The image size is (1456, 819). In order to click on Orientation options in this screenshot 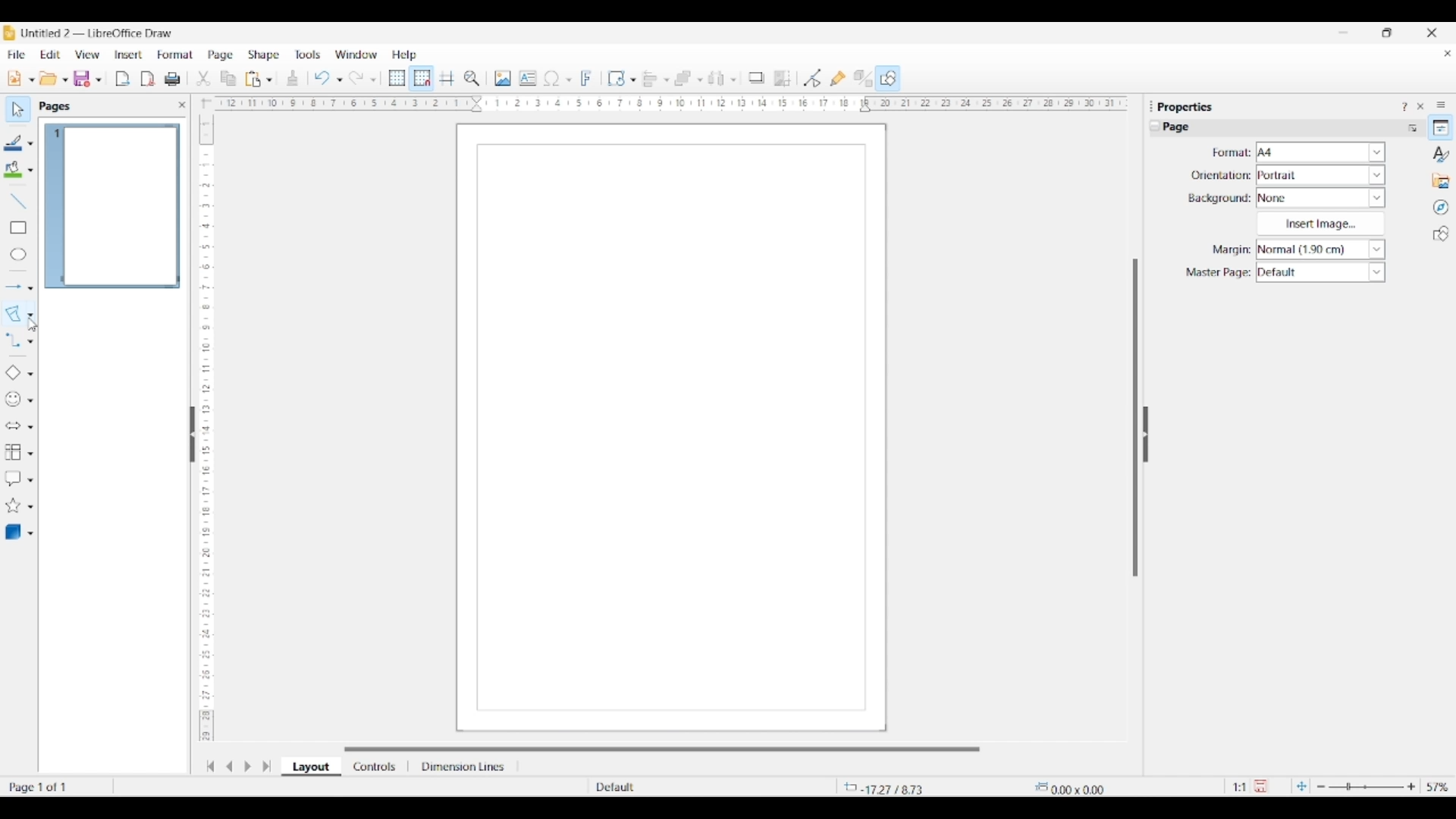, I will do `click(1321, 174)`.